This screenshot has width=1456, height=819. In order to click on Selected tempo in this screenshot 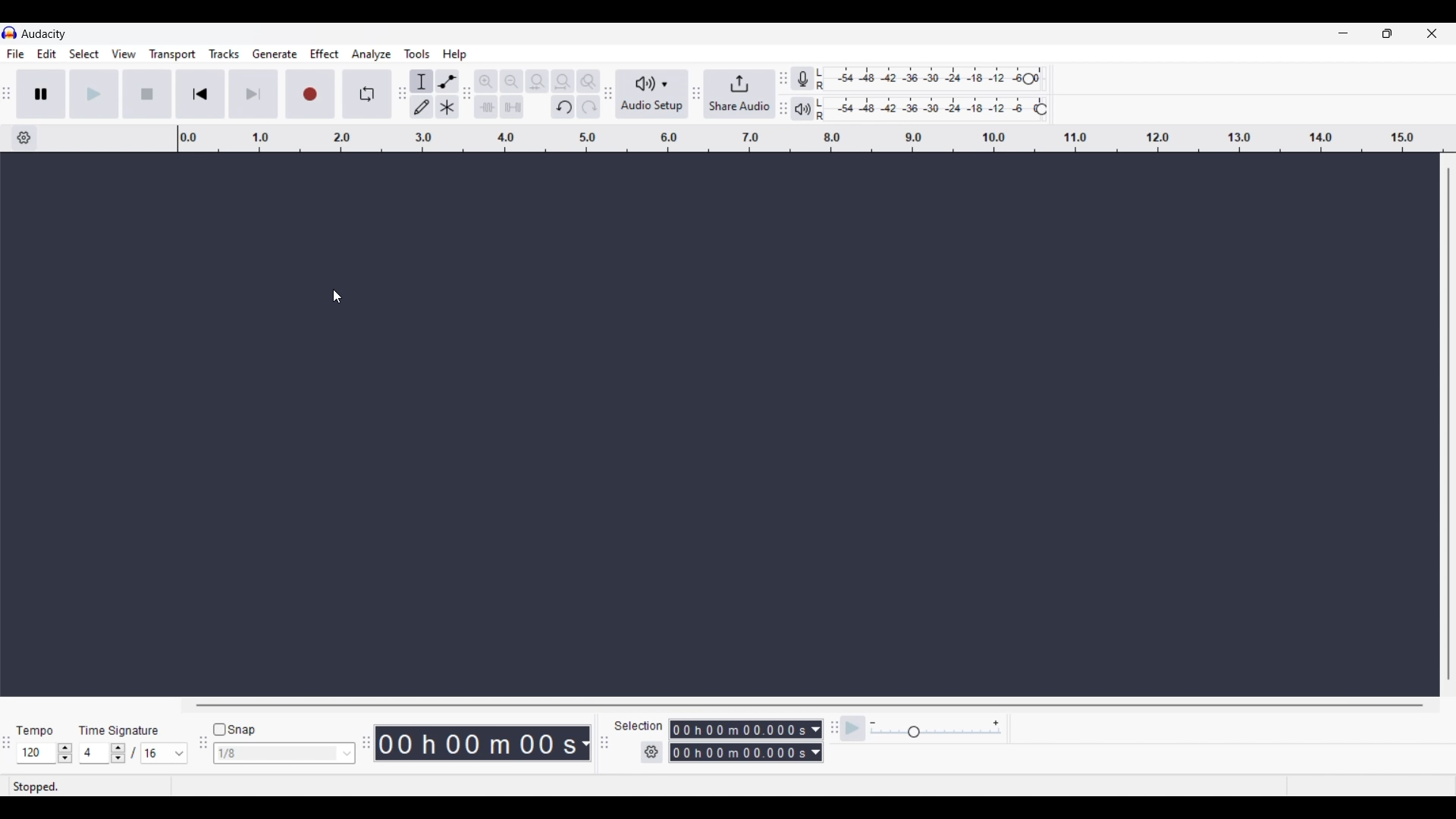, I will do `click(36, 753)`.